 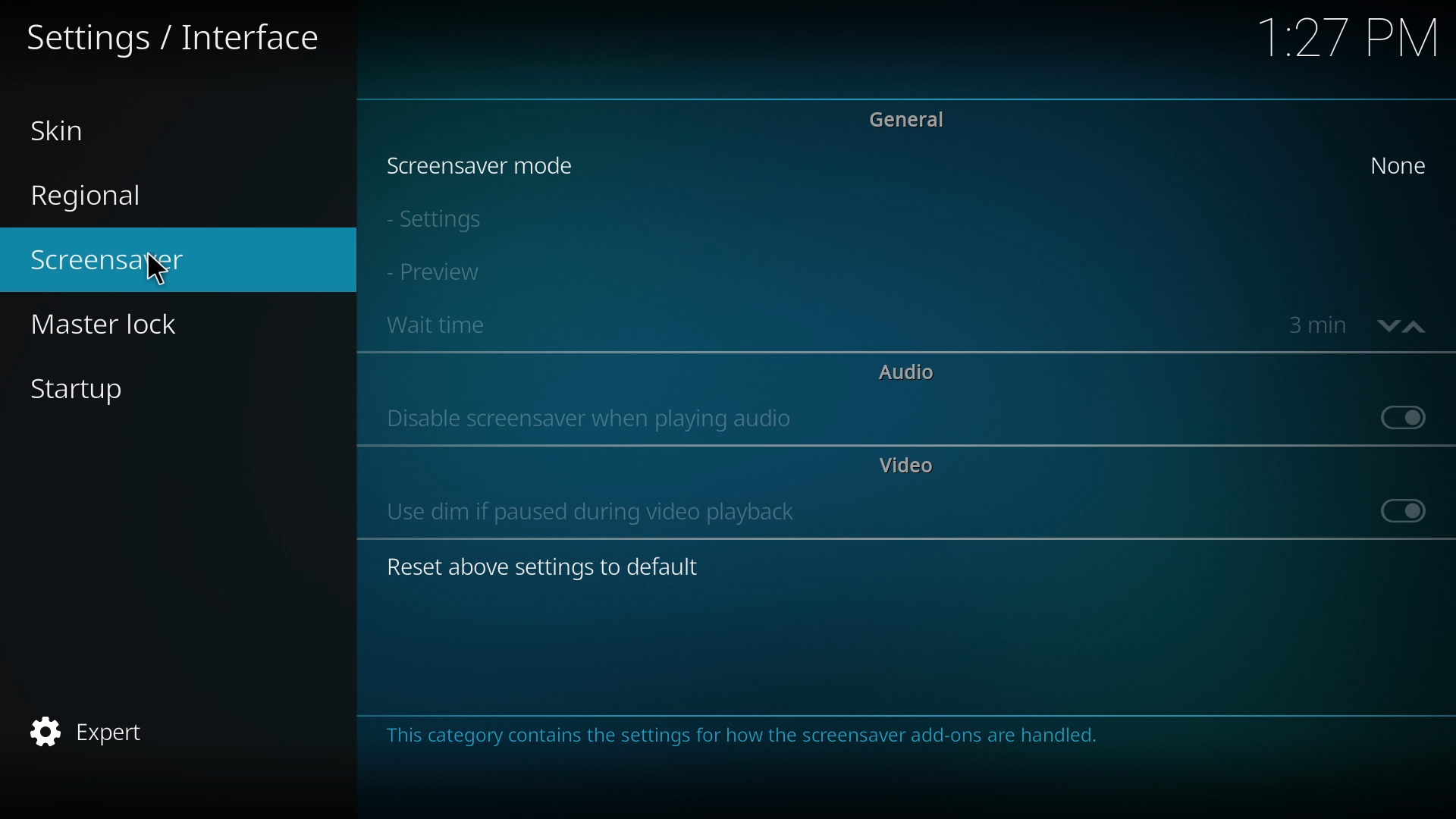 What do you see at coordinates (463, 326) in the screenshot?
I see `wait time` at bounding box center [463, 326].